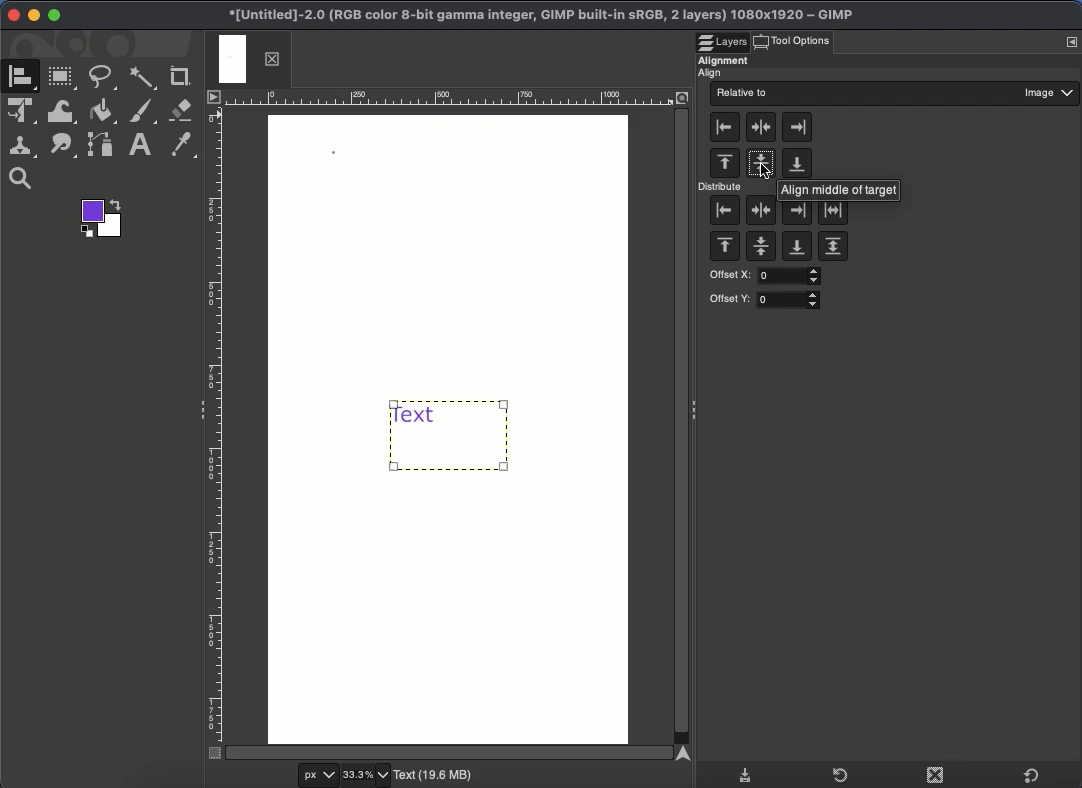 This screenshot has height=788, width=1082. I want to click on Click tool options, so click(805, 41).